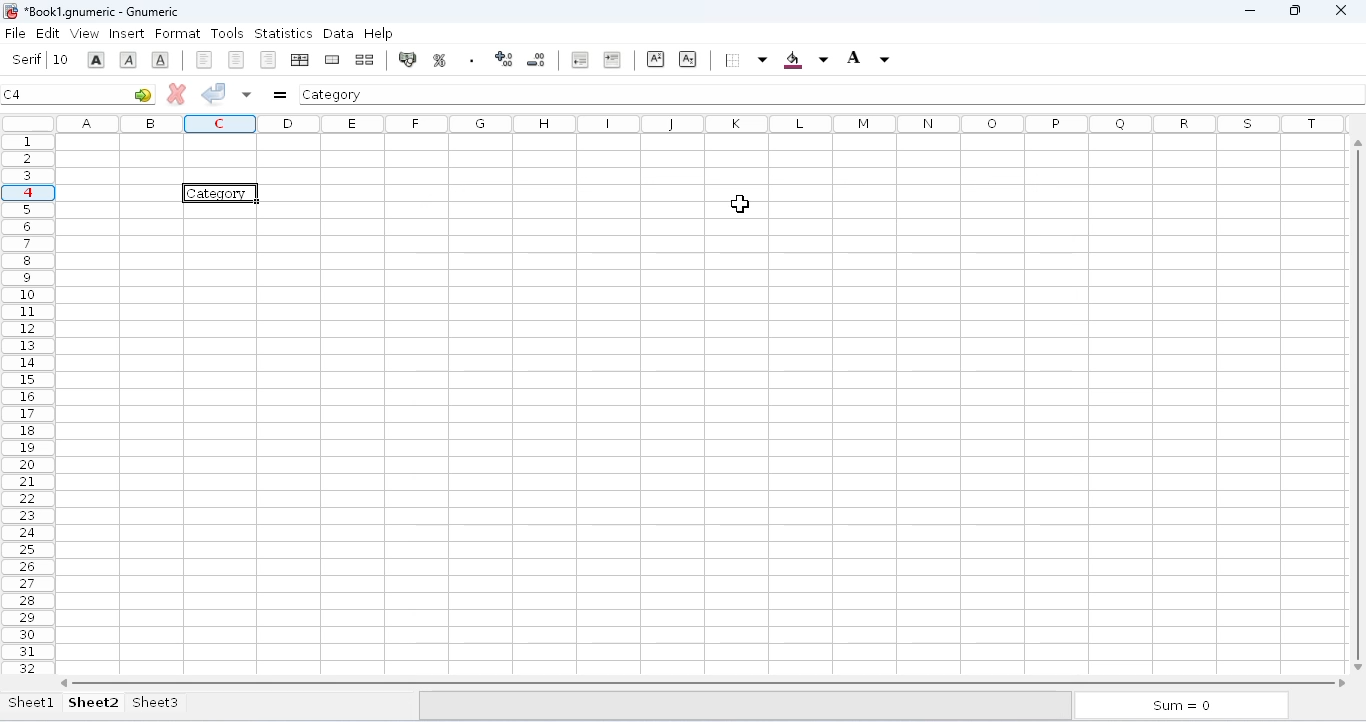 The height and width of the screenshot is (722, 1366). Describe the element at coordinates (46, 32) in the screenshot. I see `edit` at that location.